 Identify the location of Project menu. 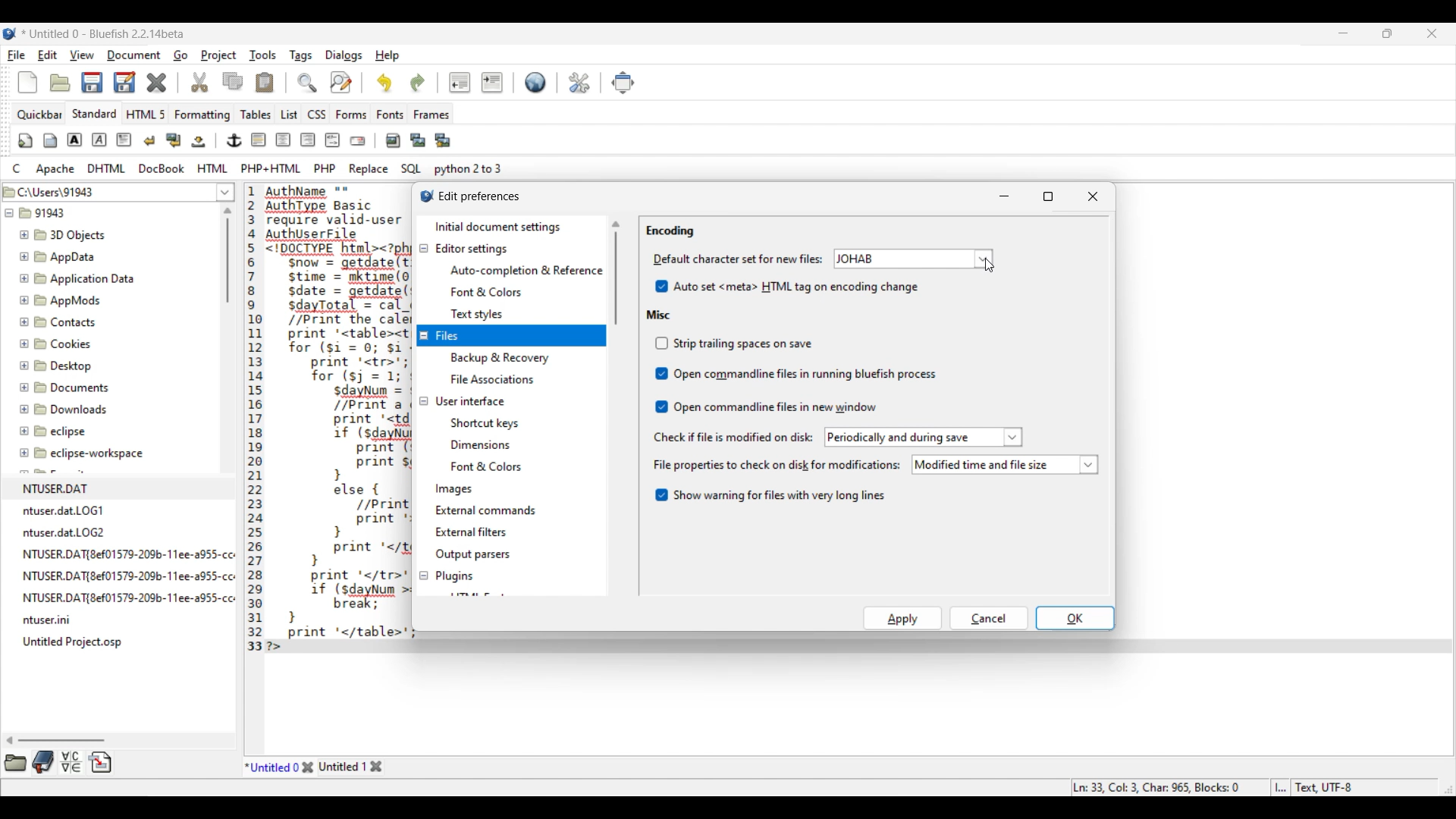
(218, 55).